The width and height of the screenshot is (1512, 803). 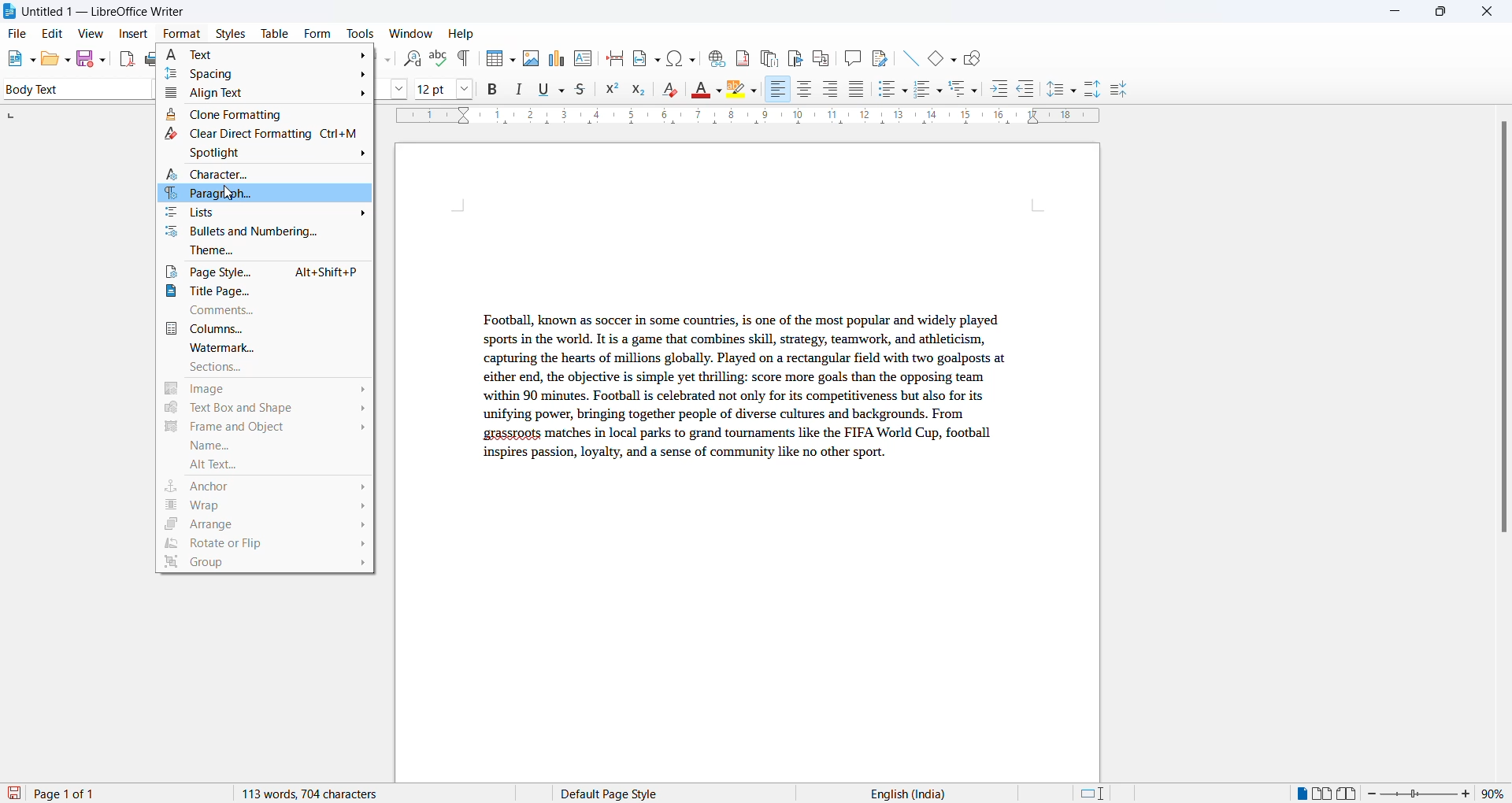 What do you see at coordinates (906, 56) in the screenshot?
I see `line` at bounding box center [906, 56].